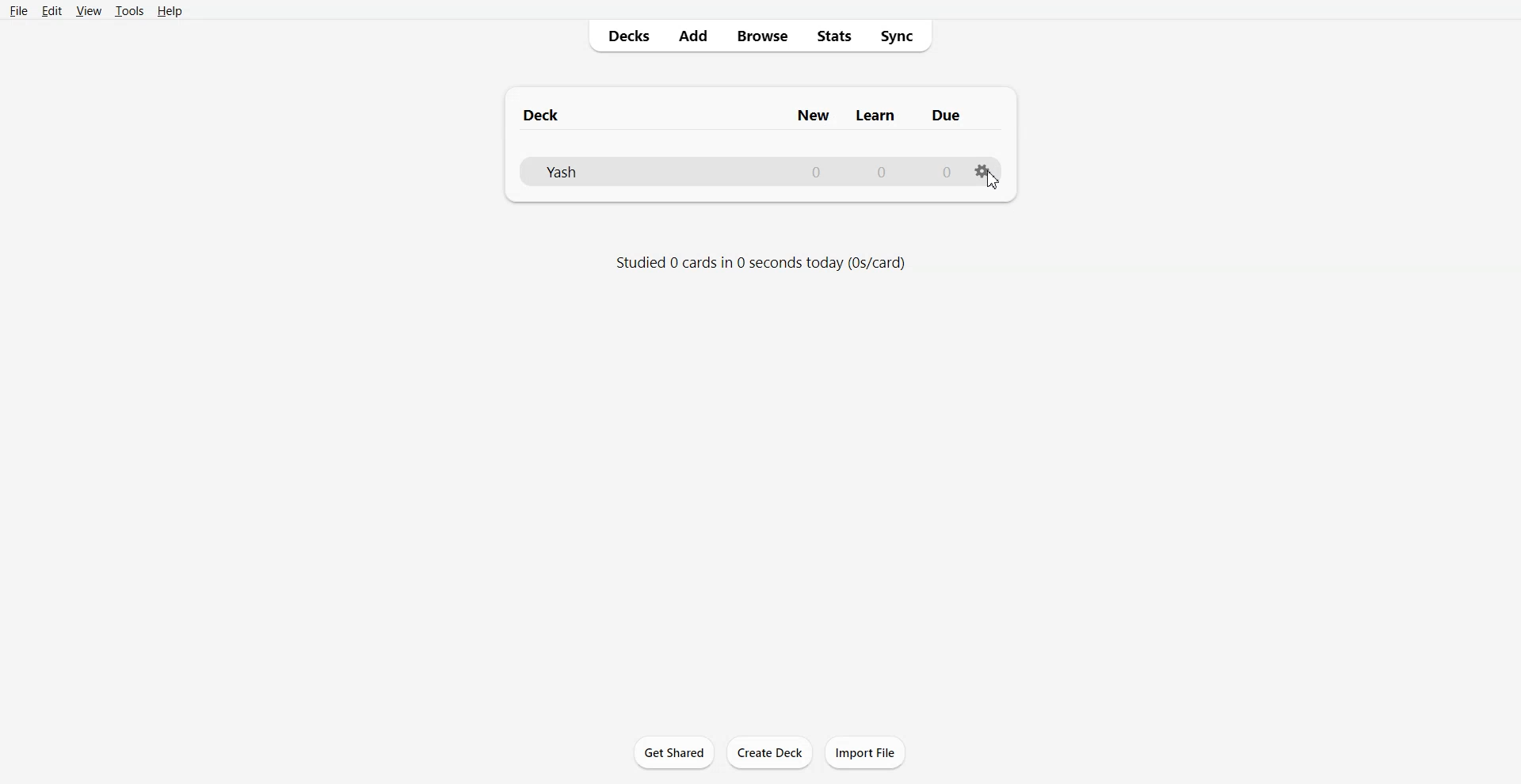 This screenshot has width=1521, height=784. What do you see at coordinates (51, 10) in the screenshot?
I see `Edit` at bounding box center [51, 10].